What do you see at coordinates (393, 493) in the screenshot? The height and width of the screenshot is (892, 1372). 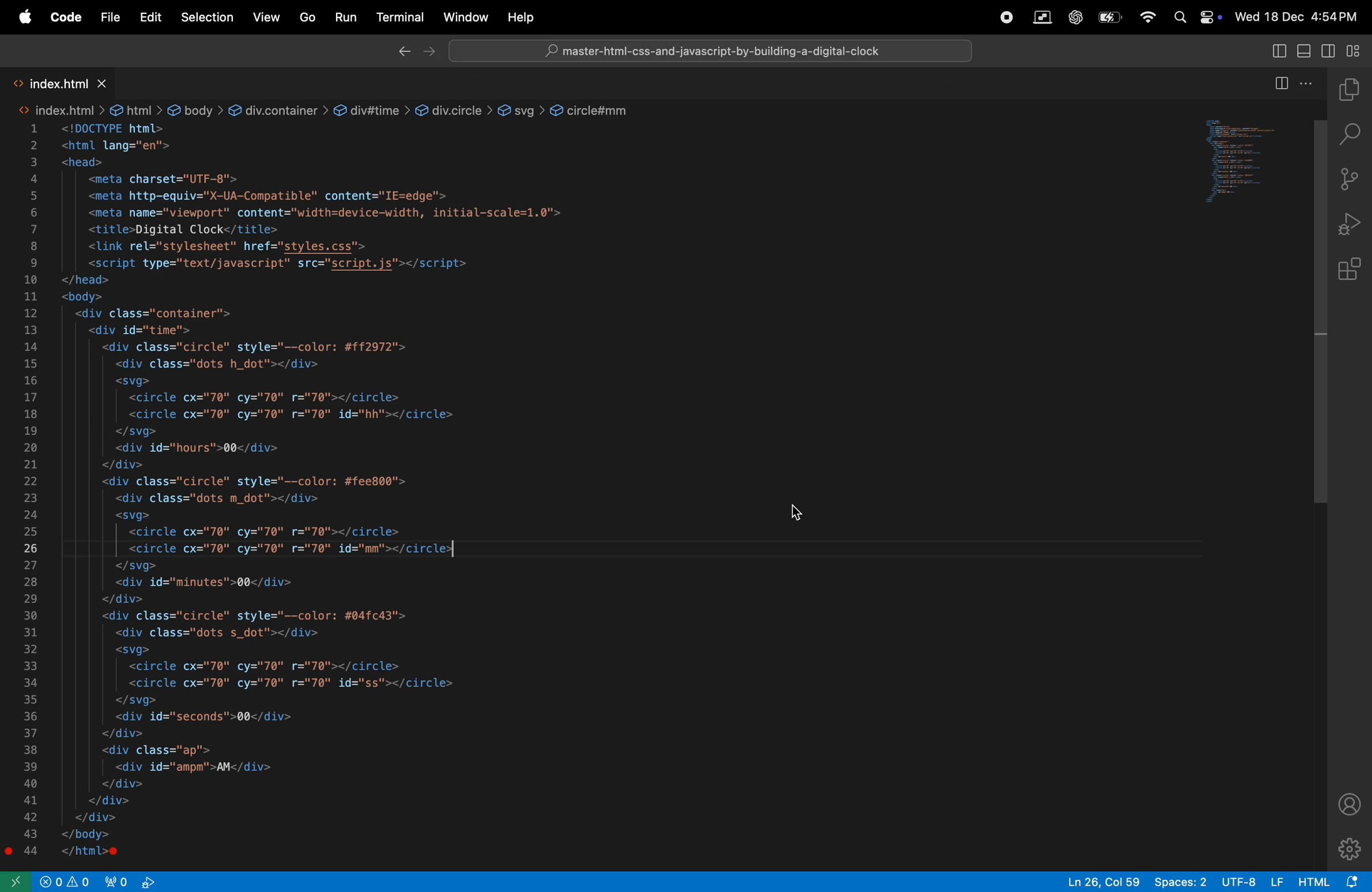 I see `<!DOCTYPE html><html lang="en"><head><meta charset="UTF-8"><meta http-equiv="X-UA-Compatible" content="IE=edge'><meta name="viewport" content="width=device-width, initial-scale=1.0"><title>Digital Clock</title><link rel="stylesheet" href="styles.css"><script type="text/javascript" src="script.js"></script></head><body><div class="container"><div id="time"><div class="circle" style="--color: #ff2972"><div class="dots h_dot"></div><svg><circle cx="70" cy="70" r="70"></circle><circle cx="70" cy="70" r="70" id="hh"></circle></svg><div id="hours">00</div></div><div class="circle" style="--color: #fee800"><div class="dots m_dot"></div><svg><circle cx="70" cy="70" r="70"></circle><circle cx="70" cy="70" r="70" id="mm"></circle></svg><div id="minutes">00</div></div><div class="circle" style="--color: #04fc43"><div class="dots s_dot"></div><svg><circle cx="70" cy="70" r="70"></circle><circle cx="70" cy="70" r="70" id="ss"></circle></svg><div id="seconds">00</div></div><div class="ap"><div id="ampm">AM</div></div></div></div></body></html>` at bounding box center [393, 493].